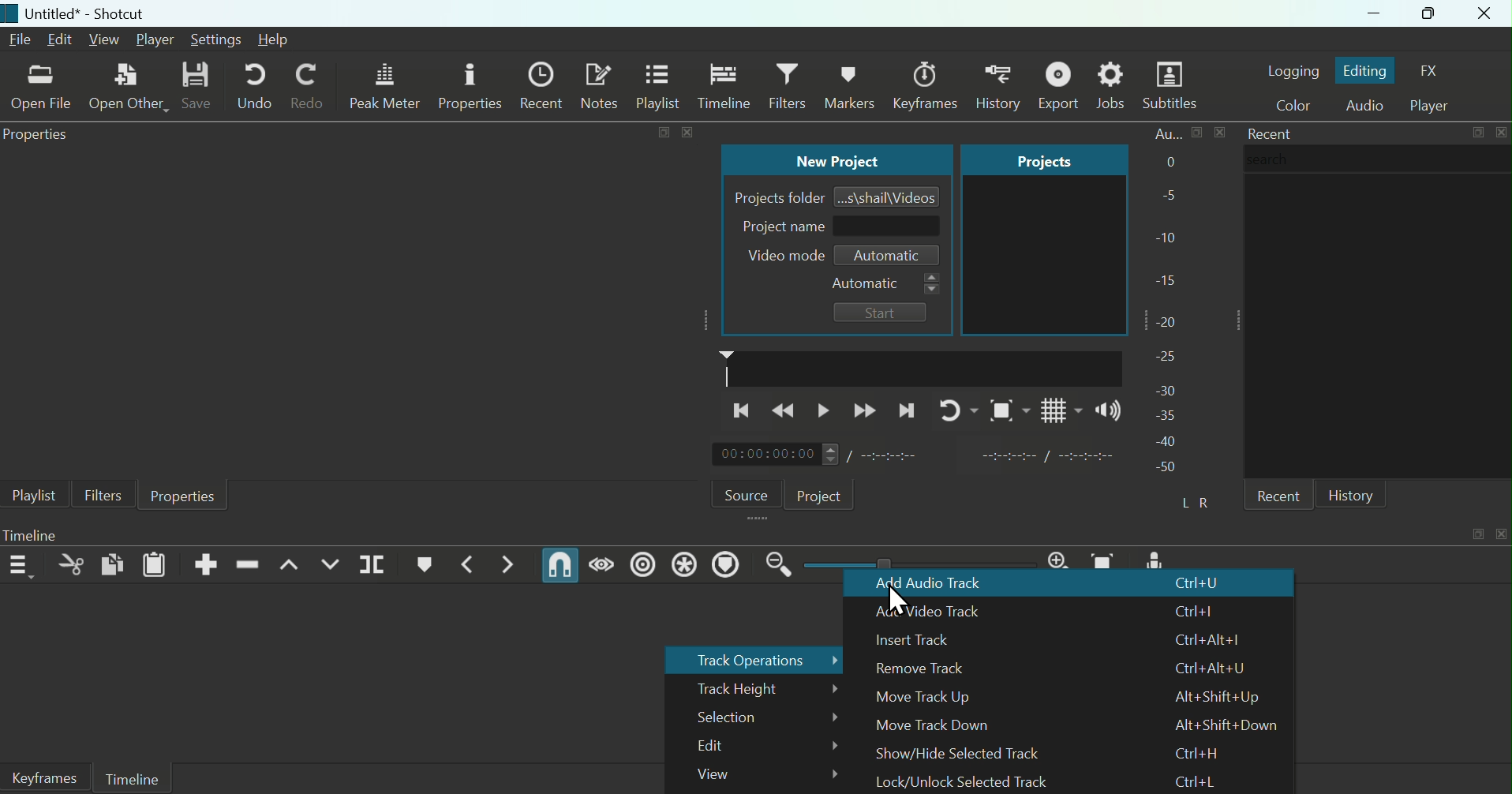 This screenshot has width=1512, height=794. I want to click on Maximize, so click(1426, 13).